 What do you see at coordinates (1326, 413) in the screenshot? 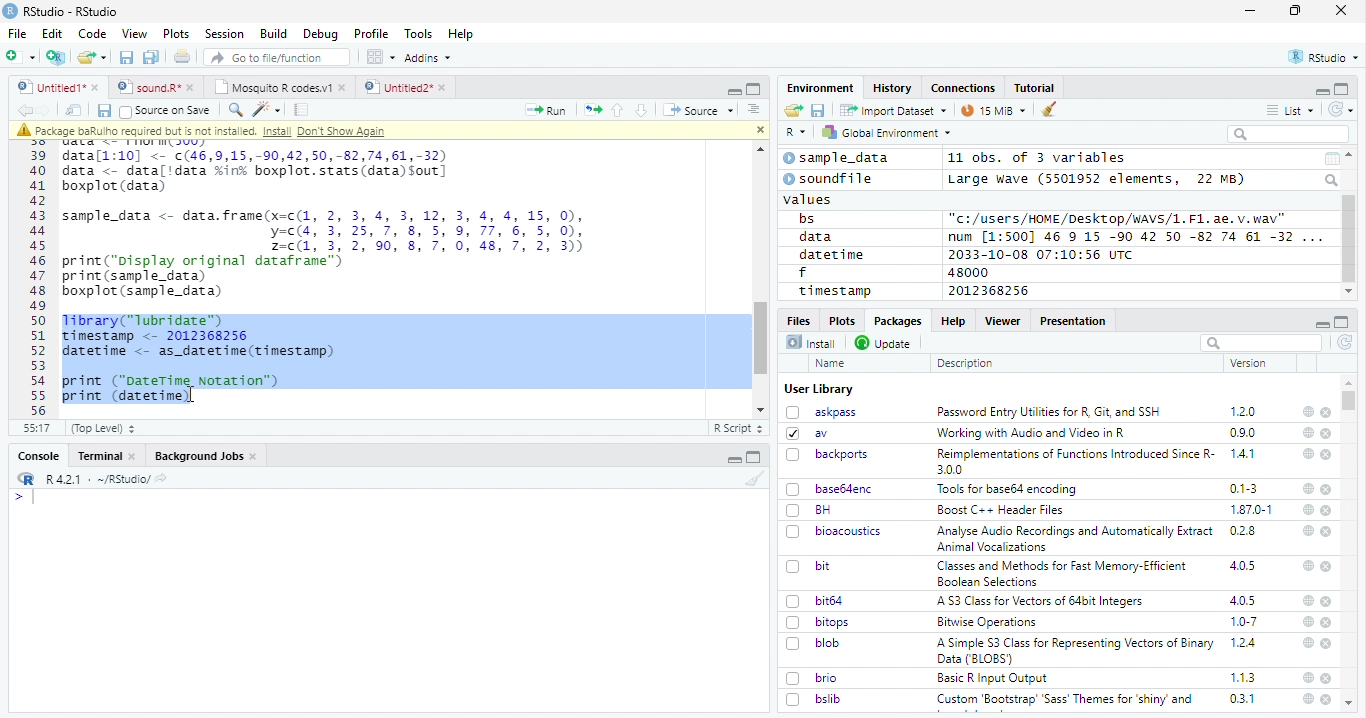
I see `close` at bounding box center [1326, 413].